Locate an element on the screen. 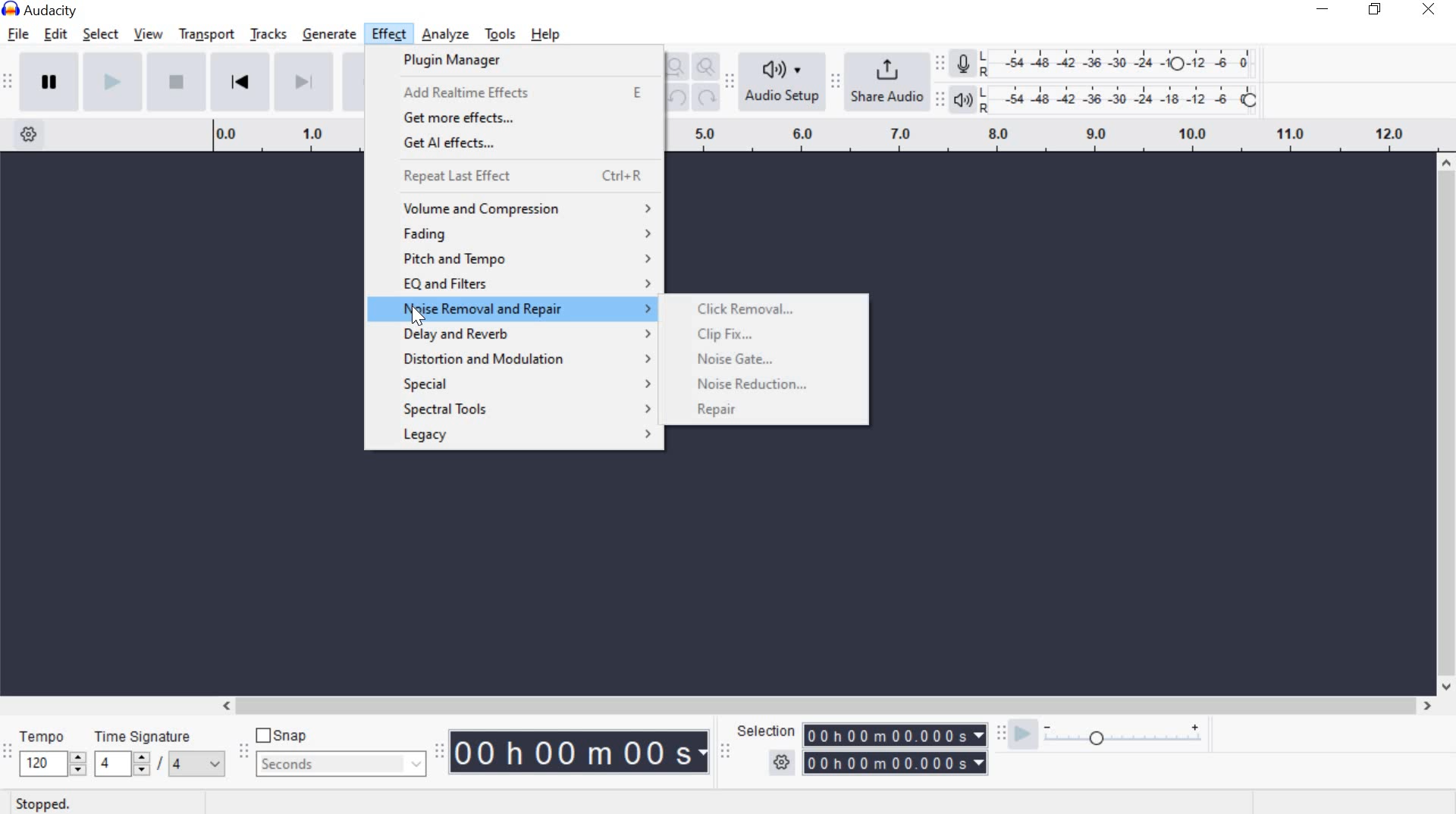 This screenshot has width=1456, height=814. tempo is located at coordinates (52, 753).